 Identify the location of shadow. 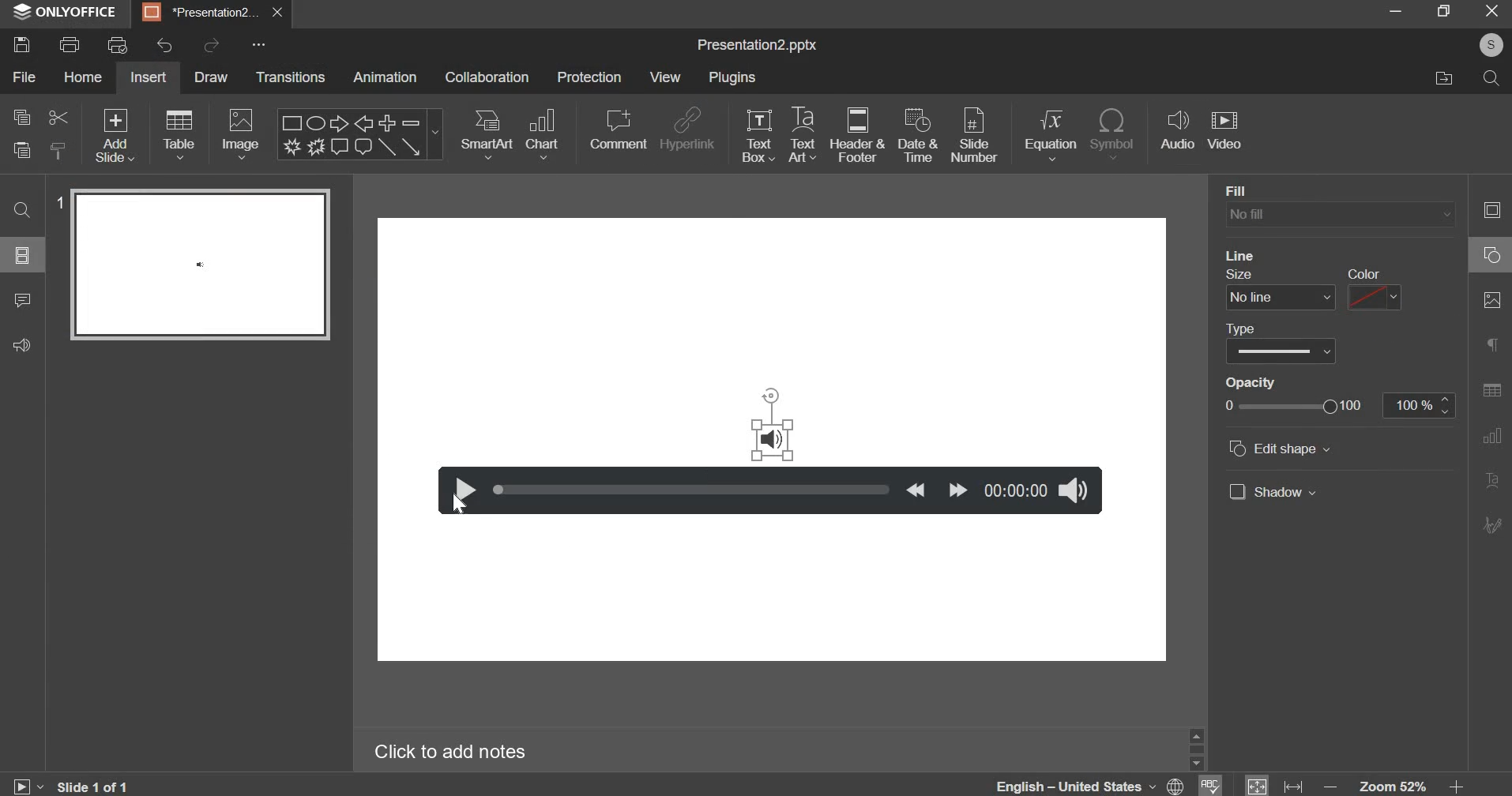
(1273, 491).